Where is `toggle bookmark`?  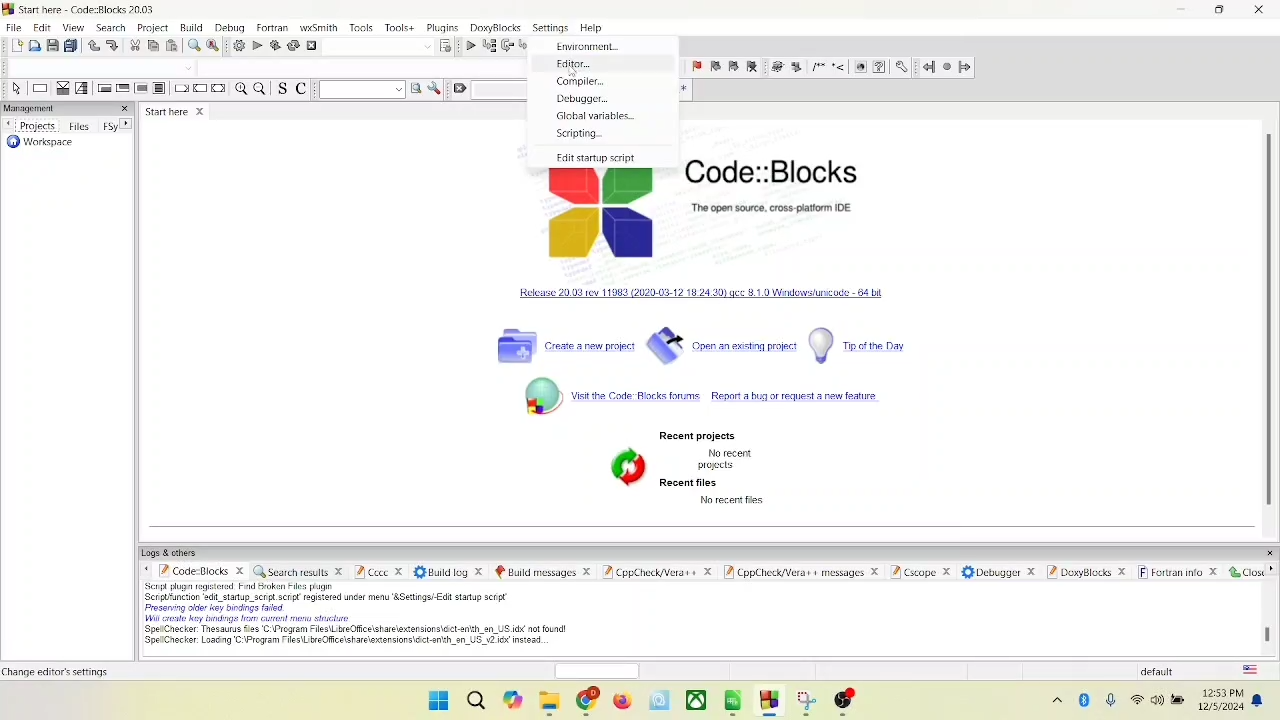
toggle bookmark is located at coordinates (697, 65).